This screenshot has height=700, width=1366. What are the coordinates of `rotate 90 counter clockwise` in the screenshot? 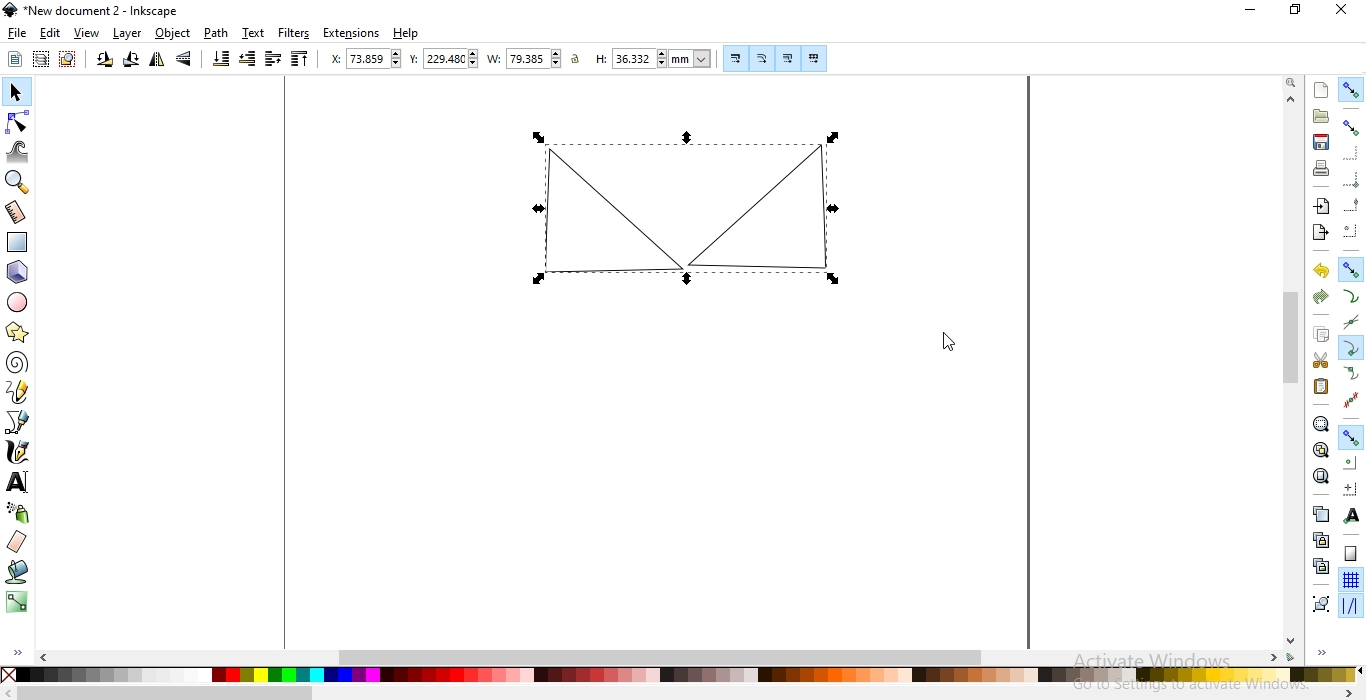 It's located at (104, 60).